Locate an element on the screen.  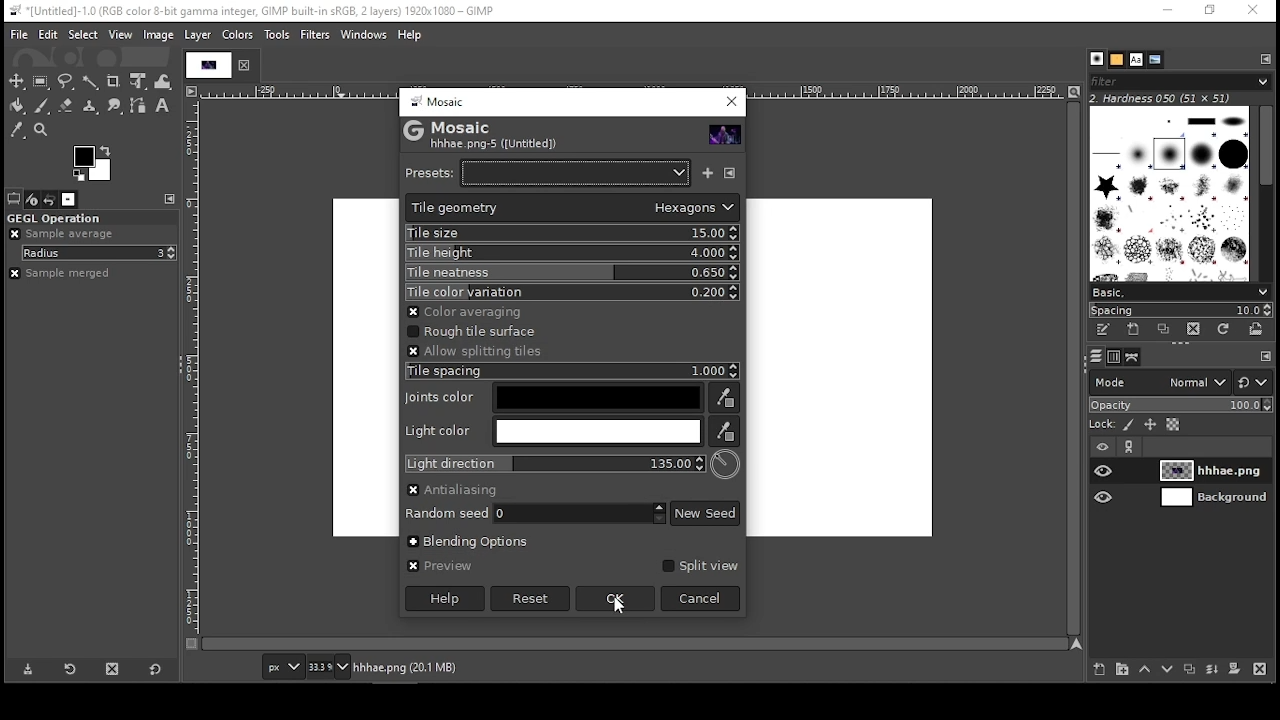
radius is located at coordinates (104, 254).